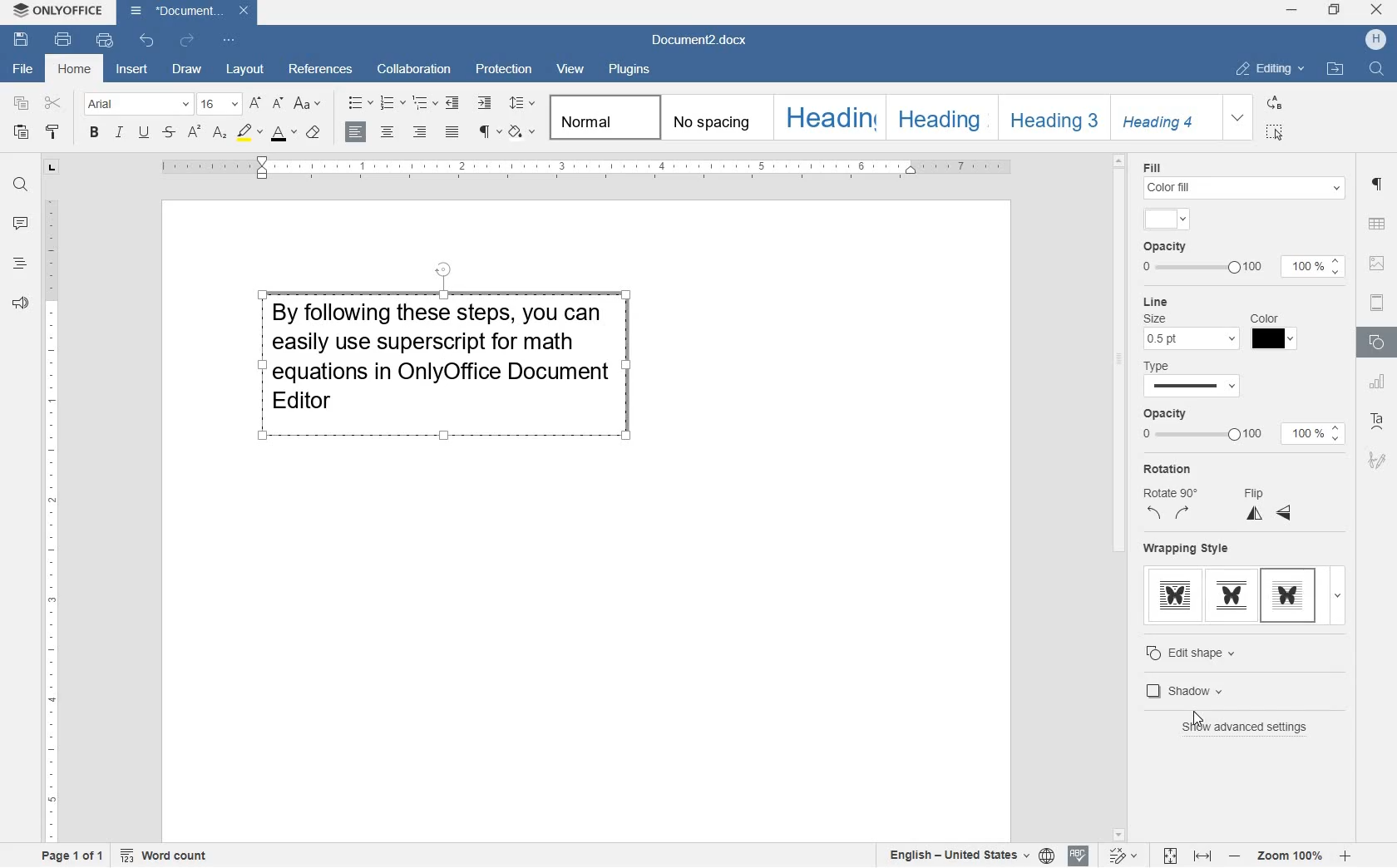 The height and width of the screenshot is (868, 1397). Describe the element at coordinates (938, 116) in the screenshot. I see `HEADING 2` at that location.